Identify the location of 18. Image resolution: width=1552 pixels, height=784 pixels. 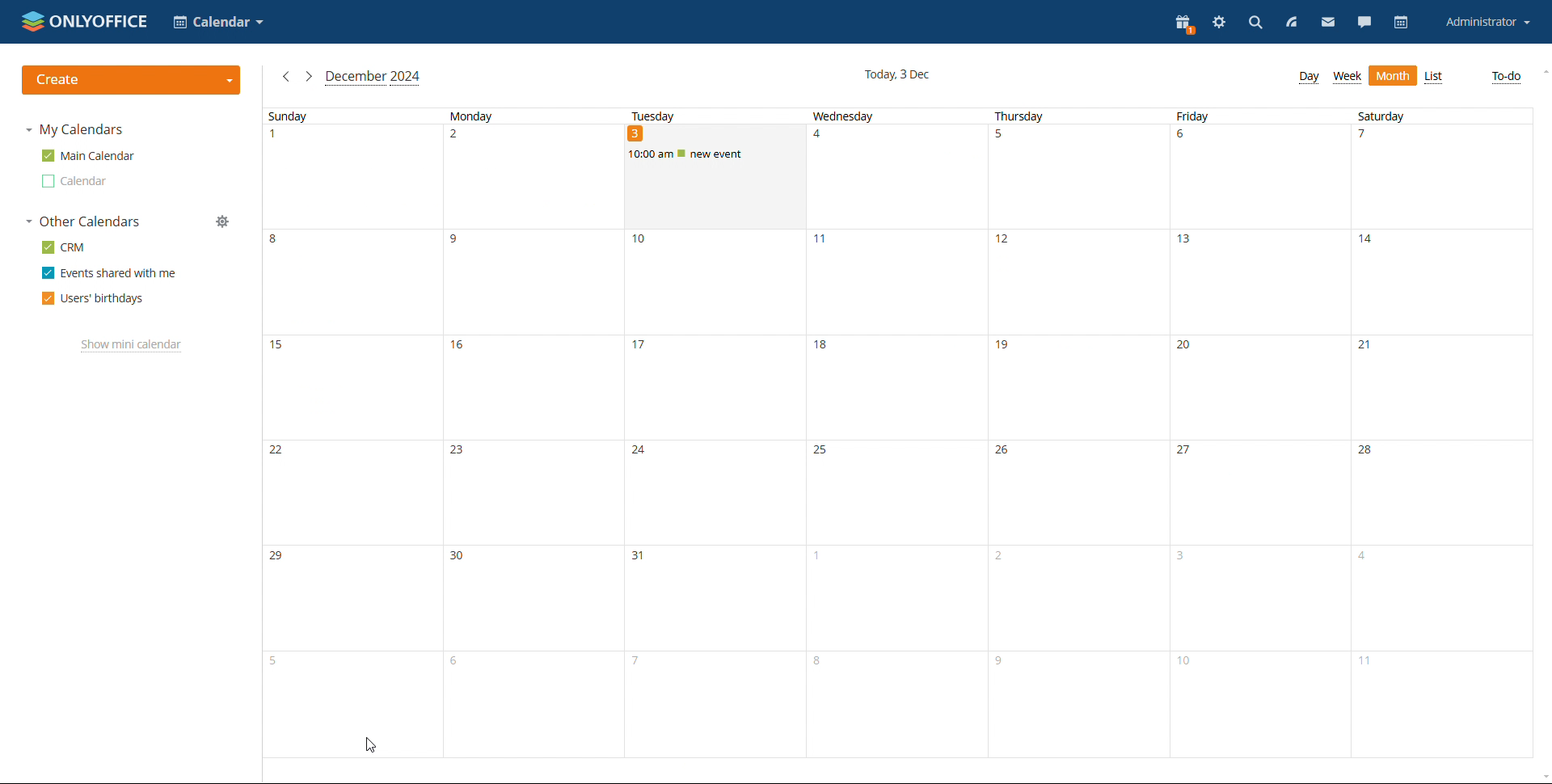
(895, 388).